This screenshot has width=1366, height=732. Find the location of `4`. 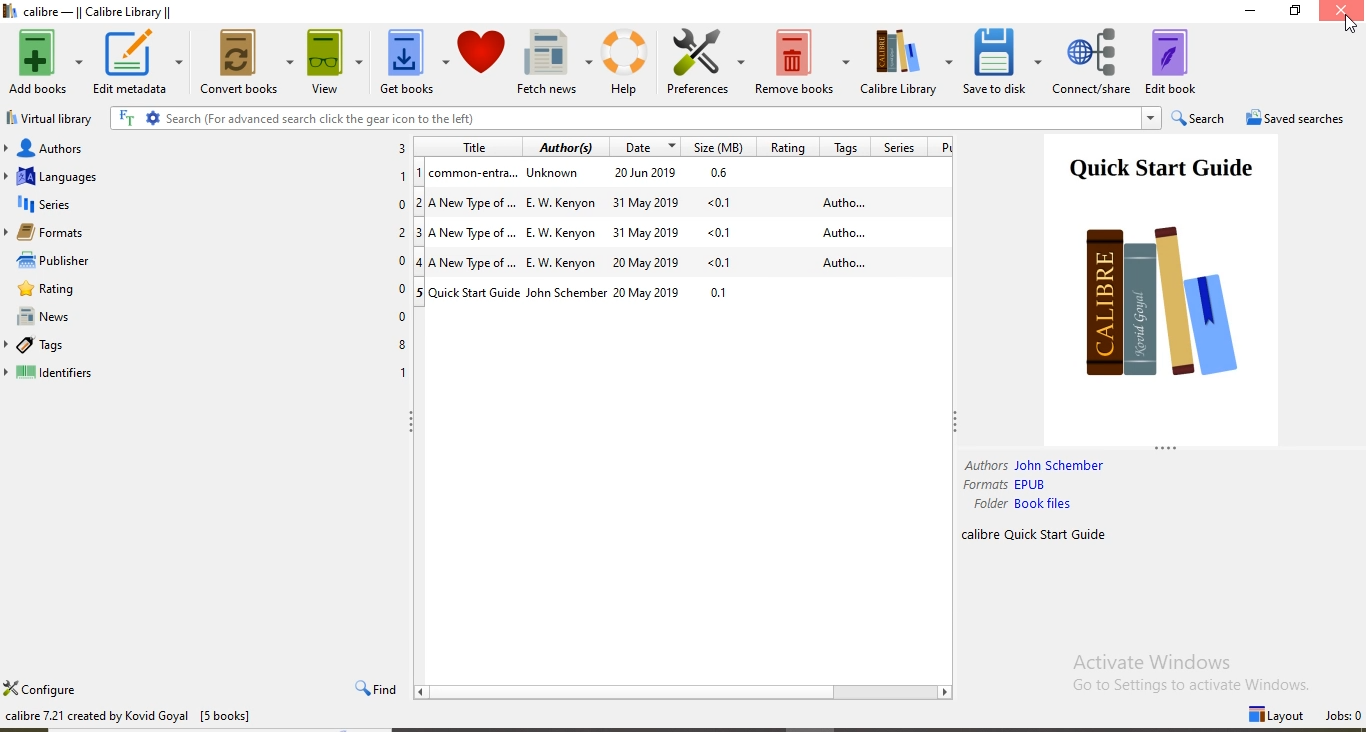

4 is located at coordinates (417, 259).